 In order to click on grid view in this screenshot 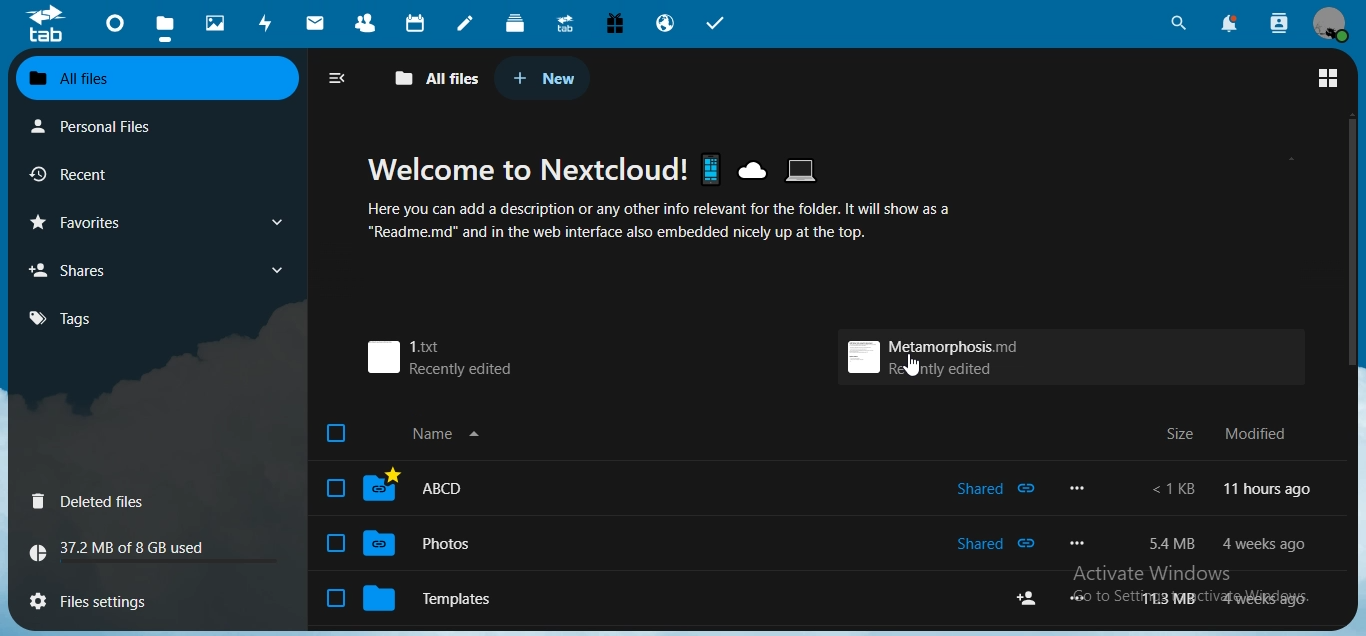, I will do `click(1327, 78)`.